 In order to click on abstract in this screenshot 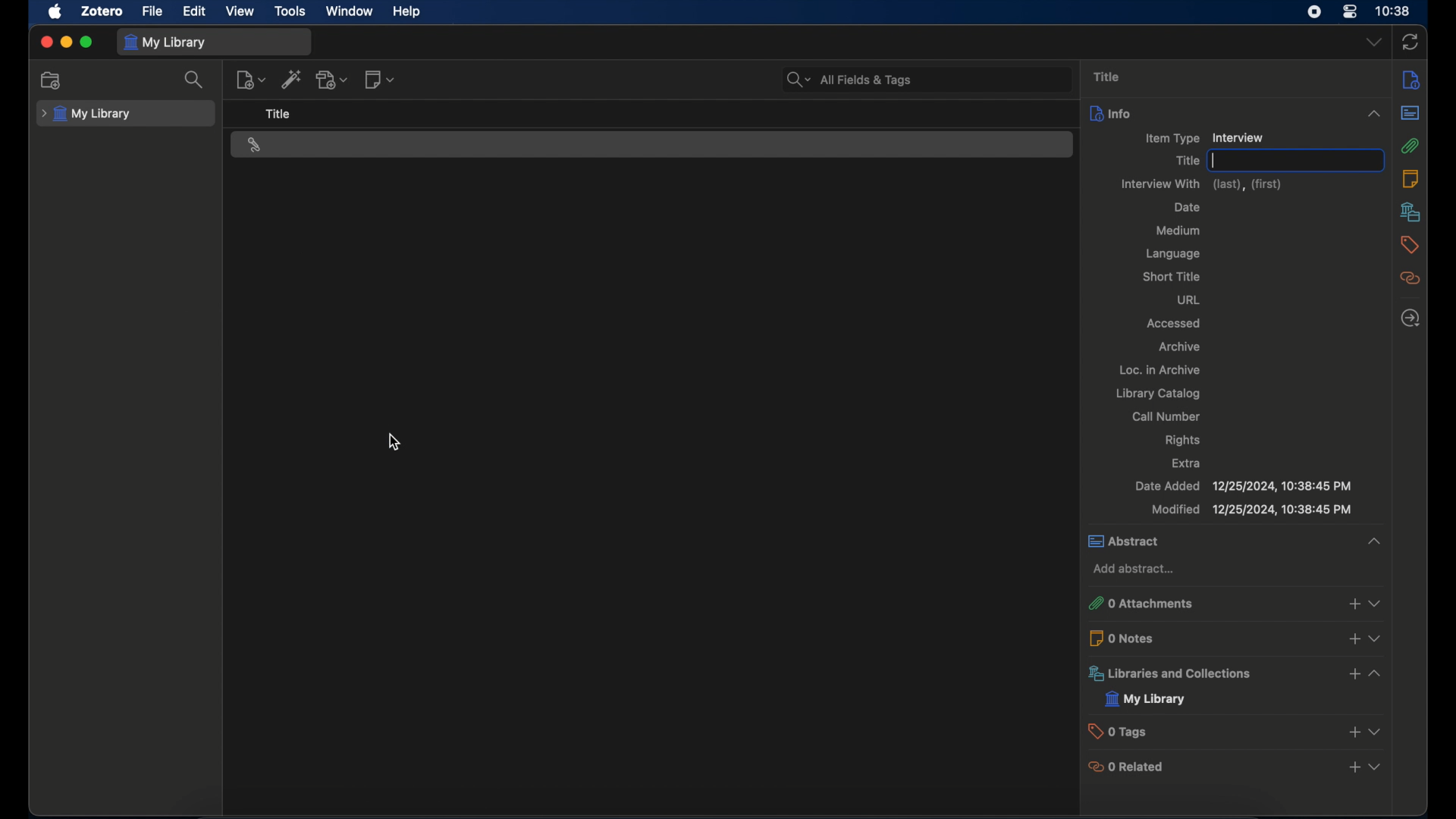, I will do `click(1237, 542)`.